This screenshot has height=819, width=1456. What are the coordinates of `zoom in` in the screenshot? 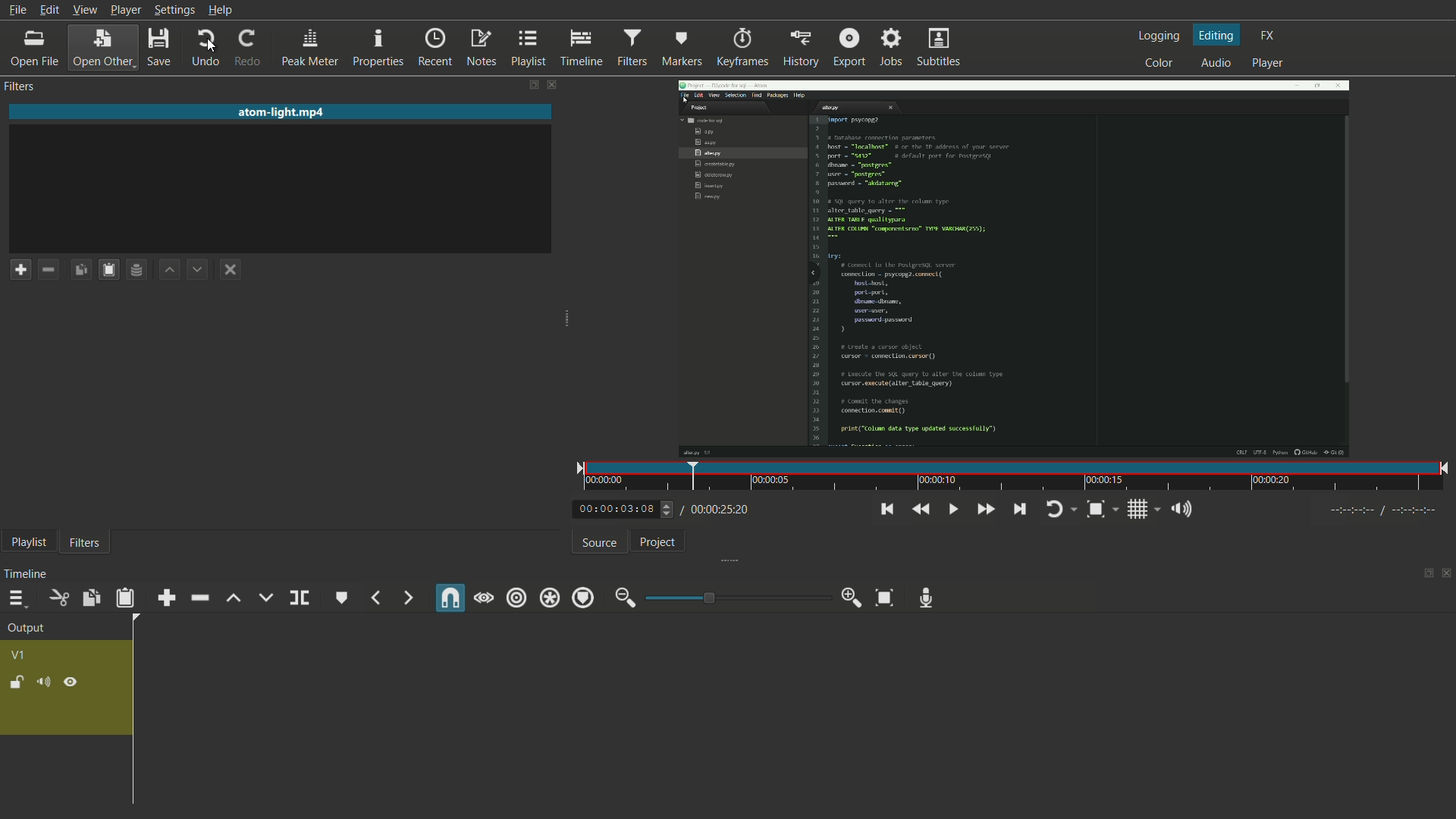 It's located at (849, 598).